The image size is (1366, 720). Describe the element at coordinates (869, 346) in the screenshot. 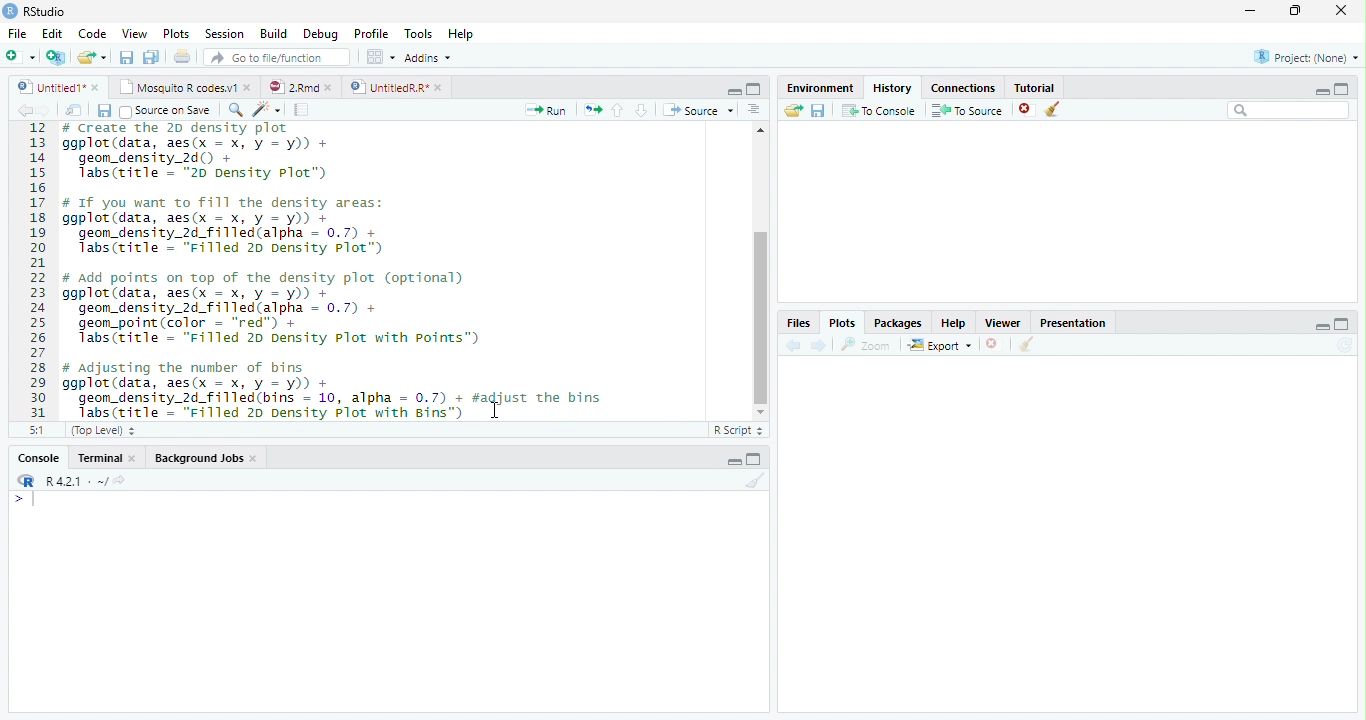

I see `zoom` at that location.